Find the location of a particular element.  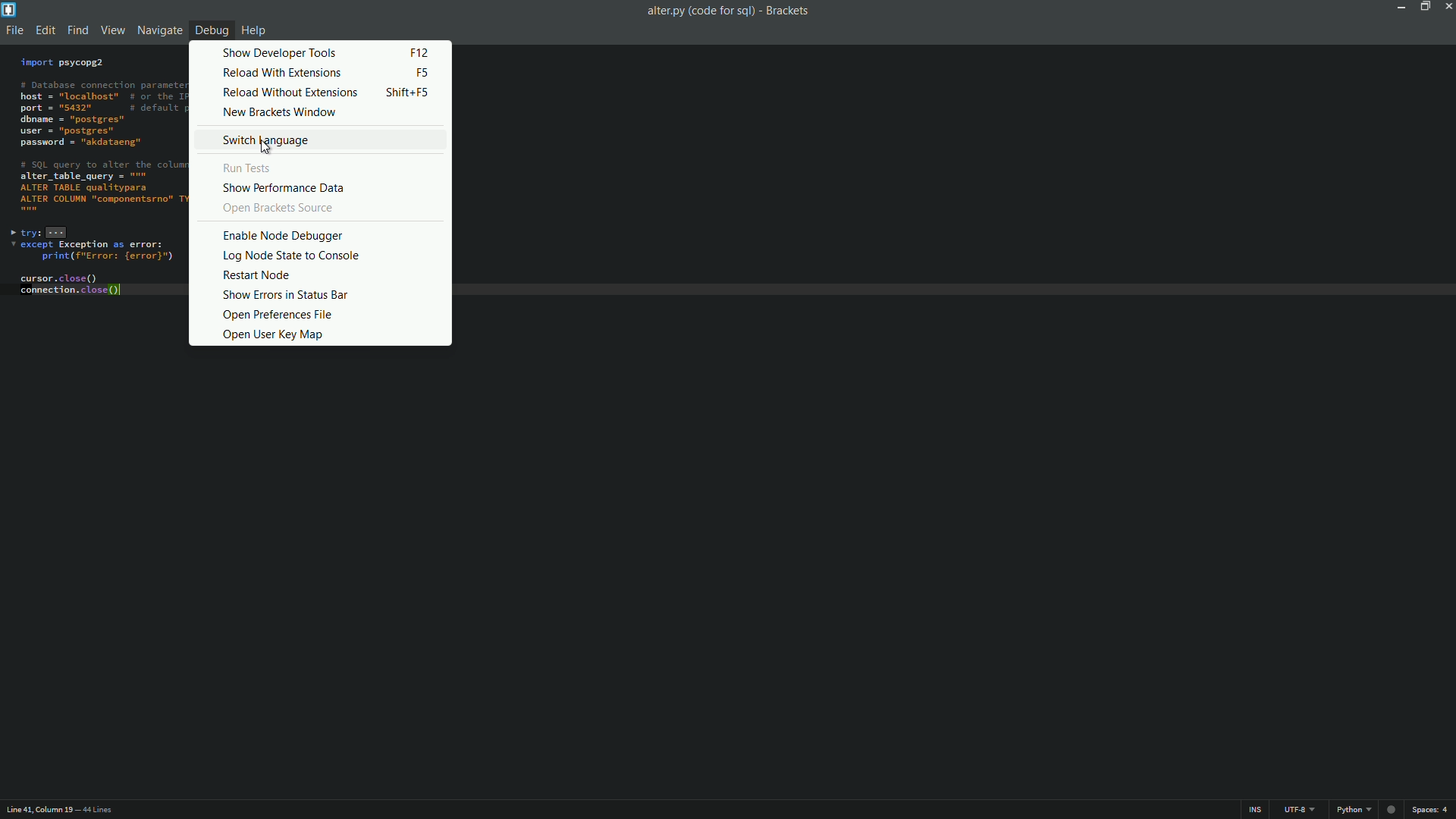

navigate menu is located at coordinates (157, 30).